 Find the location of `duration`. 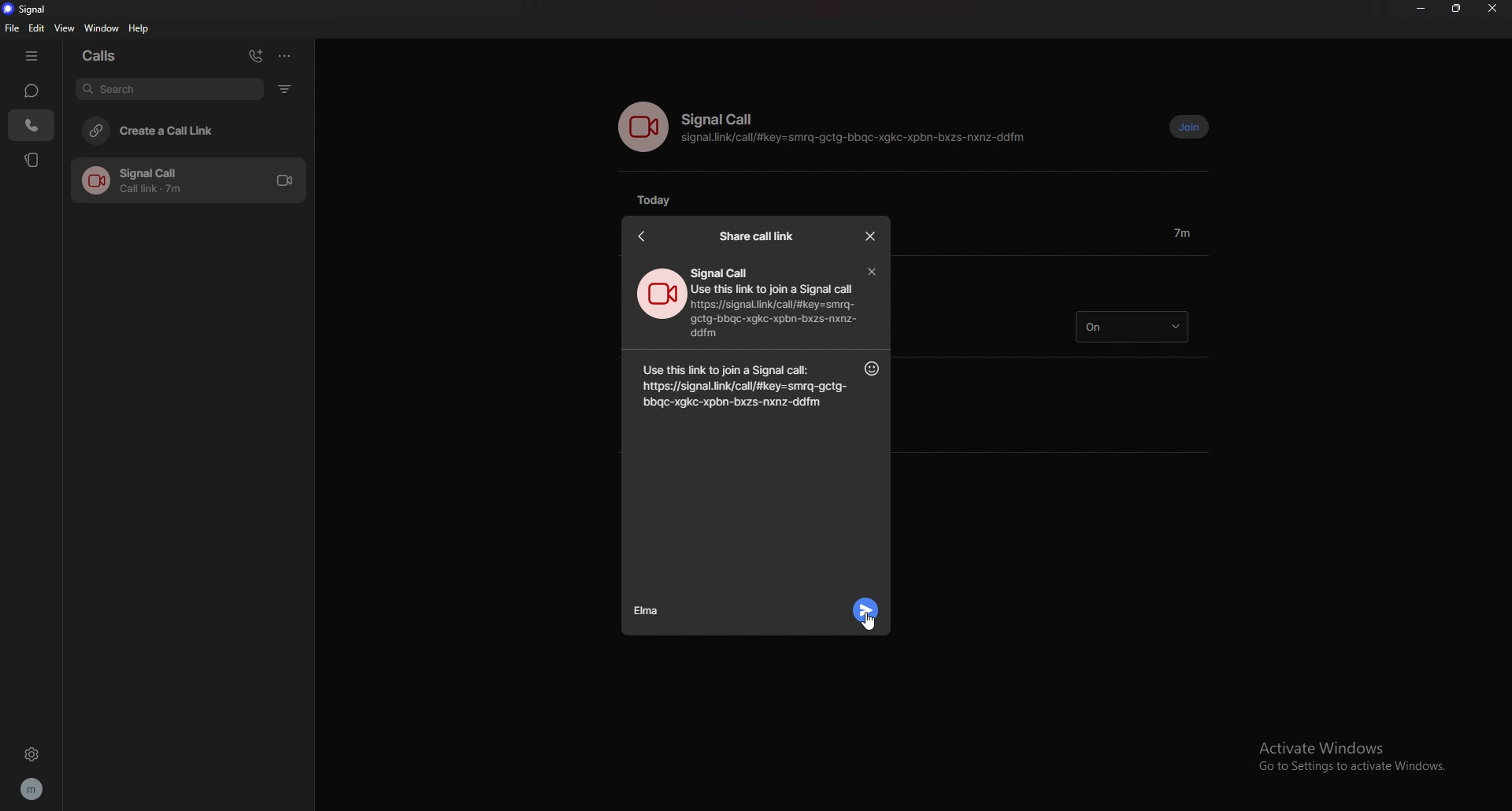

duration is located at coordinates (1182, 232).